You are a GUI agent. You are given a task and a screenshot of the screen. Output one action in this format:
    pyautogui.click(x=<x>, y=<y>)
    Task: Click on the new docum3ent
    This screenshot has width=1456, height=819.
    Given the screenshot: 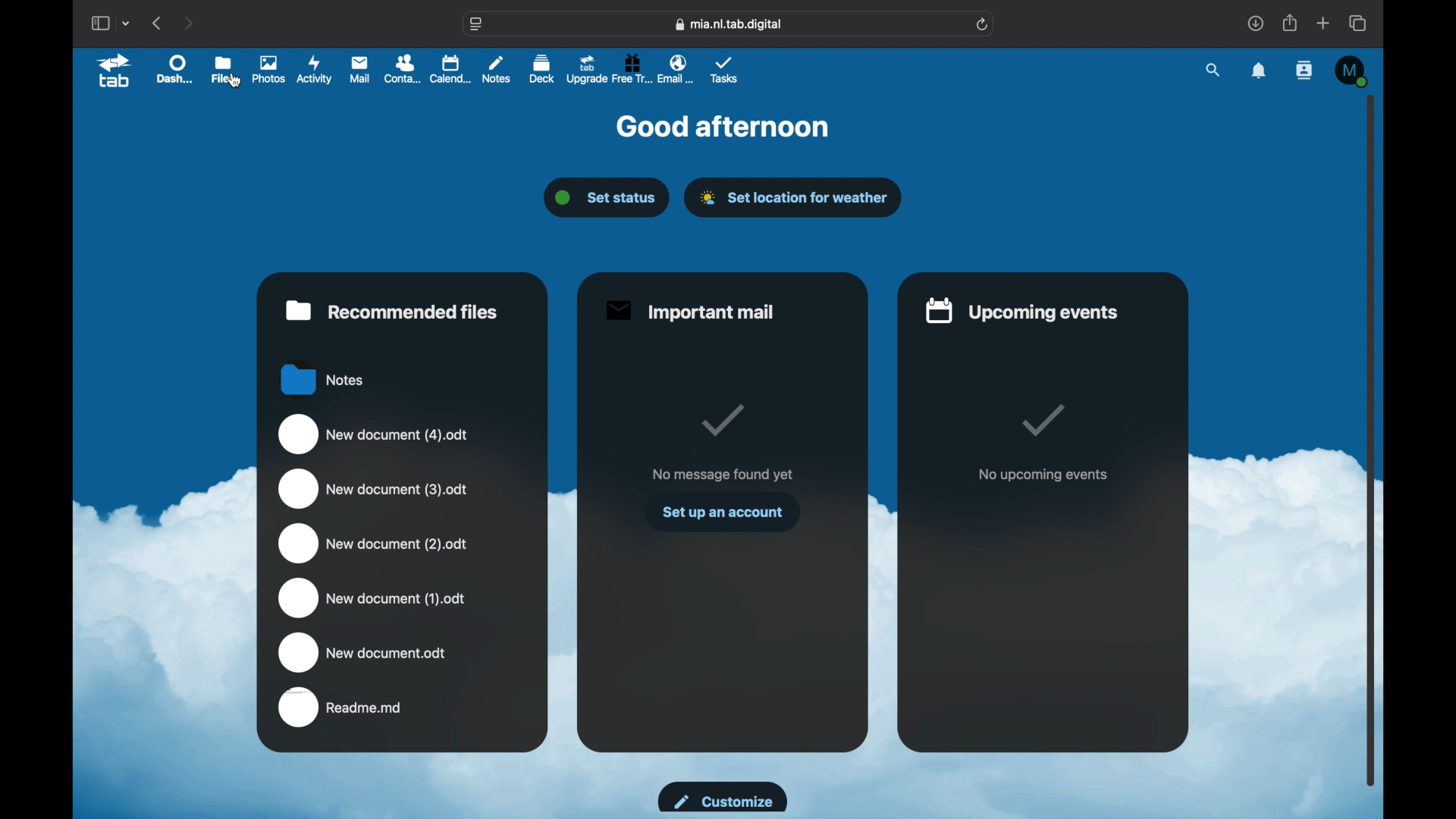 What is the action you would take?
    pyautogui.click(x=363, y=652)
    